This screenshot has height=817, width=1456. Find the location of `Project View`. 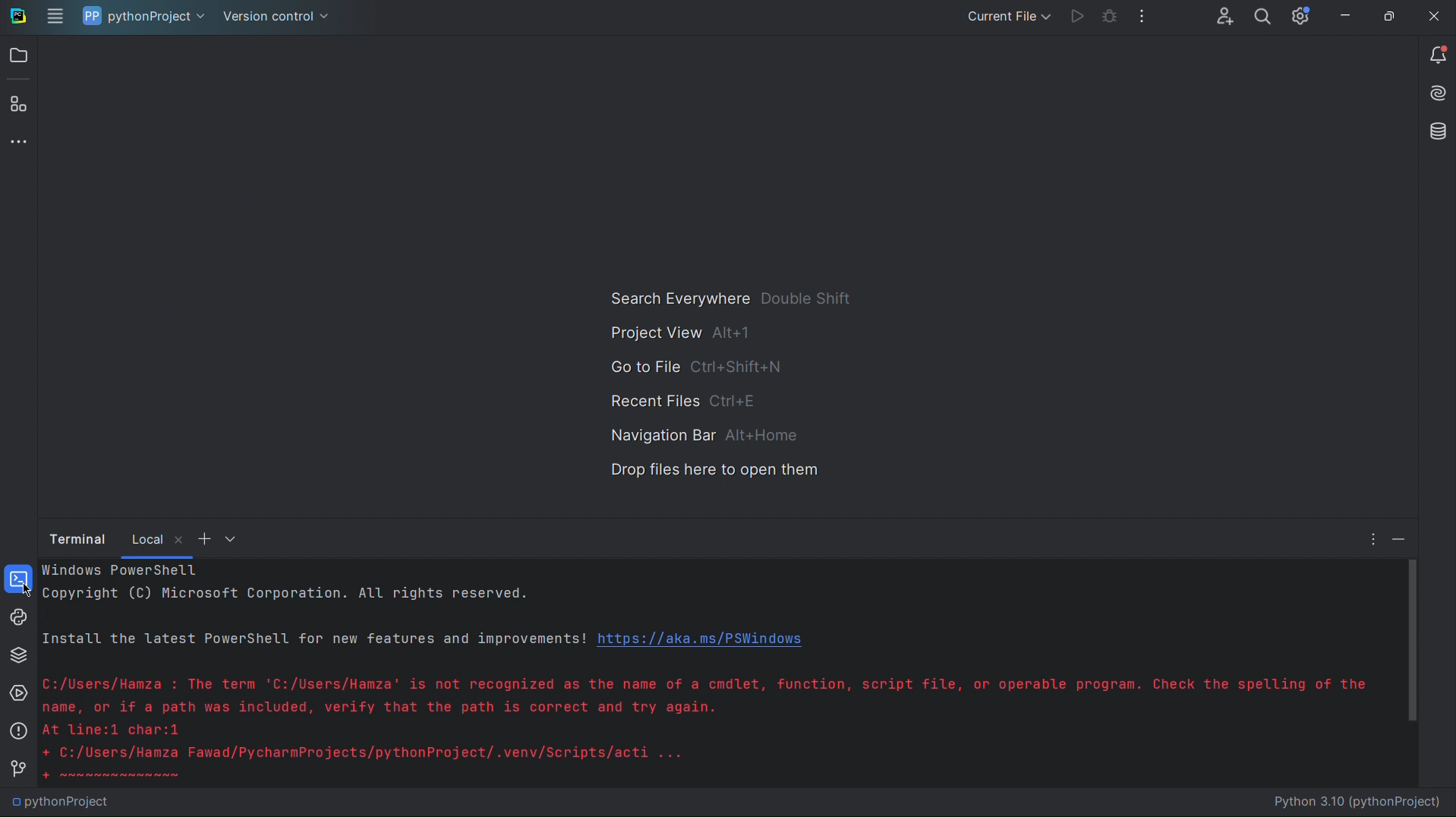

Project View is located at coordinates (678, 332).